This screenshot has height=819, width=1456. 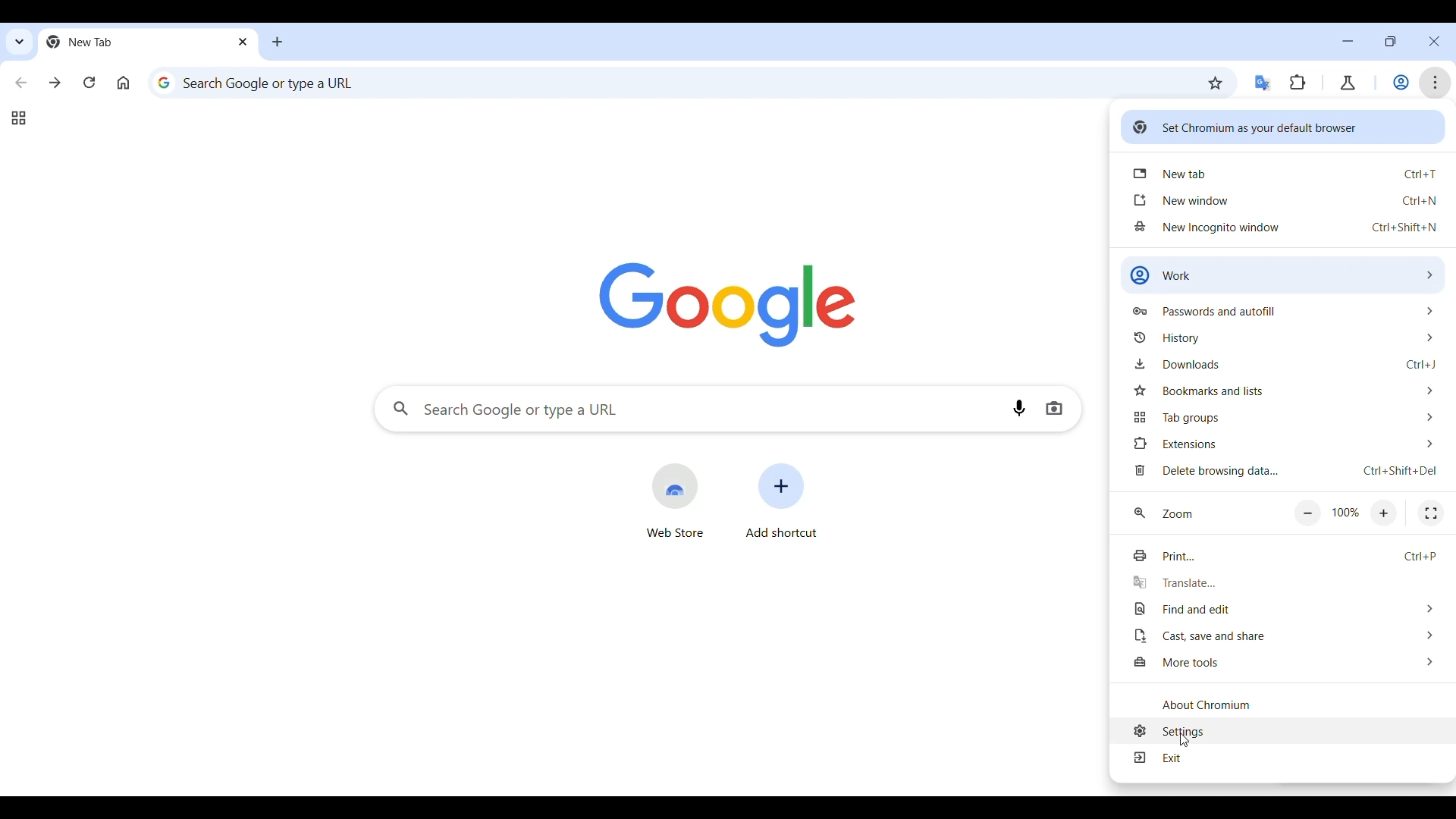 I want to click on Fullscreen, so click(x=1431, y=513).